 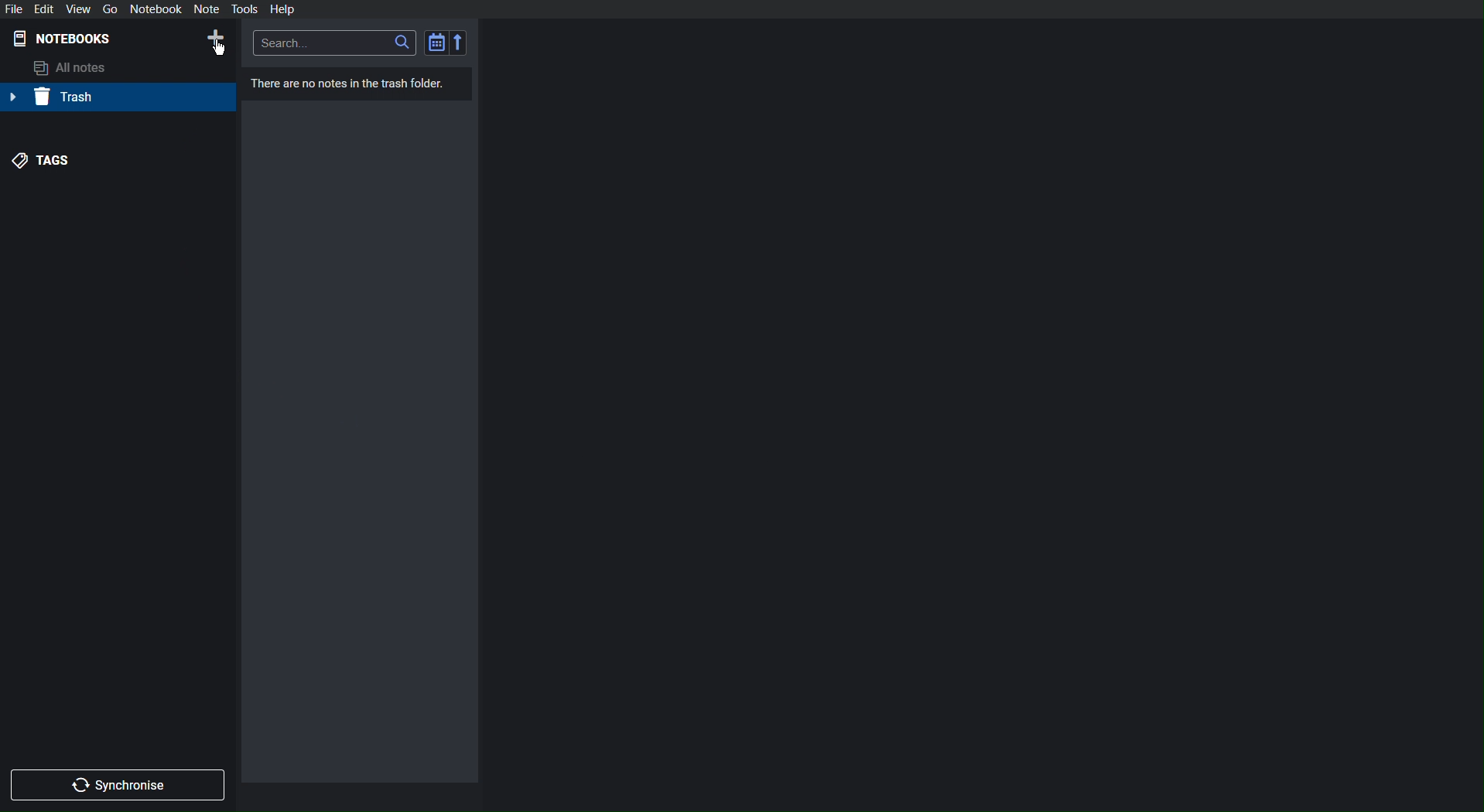 What do you see at coordinates (336, 43) in the screenshot?
I see `Search` at bounding box center [336, 43].